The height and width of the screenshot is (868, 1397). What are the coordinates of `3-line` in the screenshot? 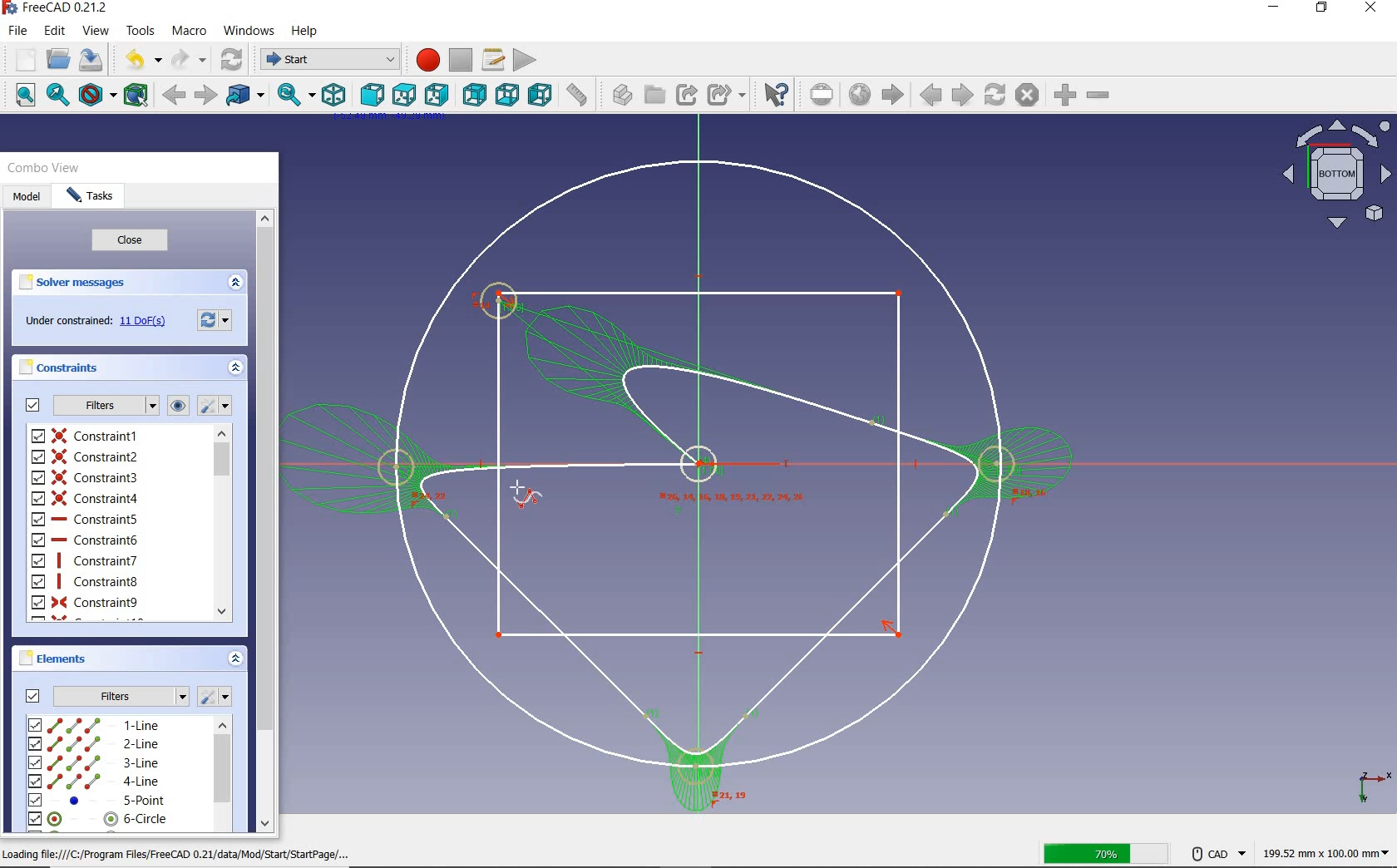 It's located at (94, 763).